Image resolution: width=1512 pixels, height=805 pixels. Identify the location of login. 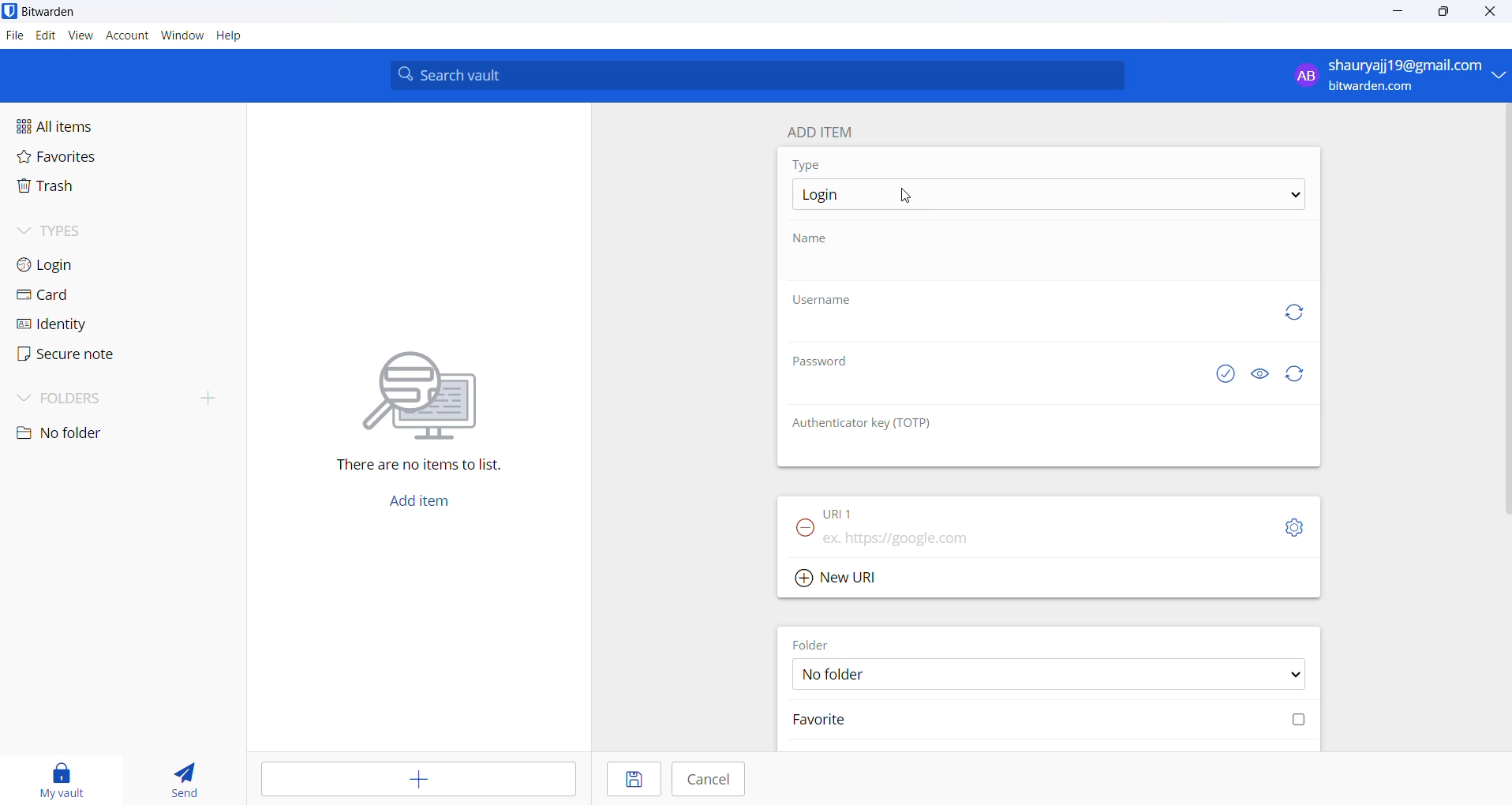
(80, 263).